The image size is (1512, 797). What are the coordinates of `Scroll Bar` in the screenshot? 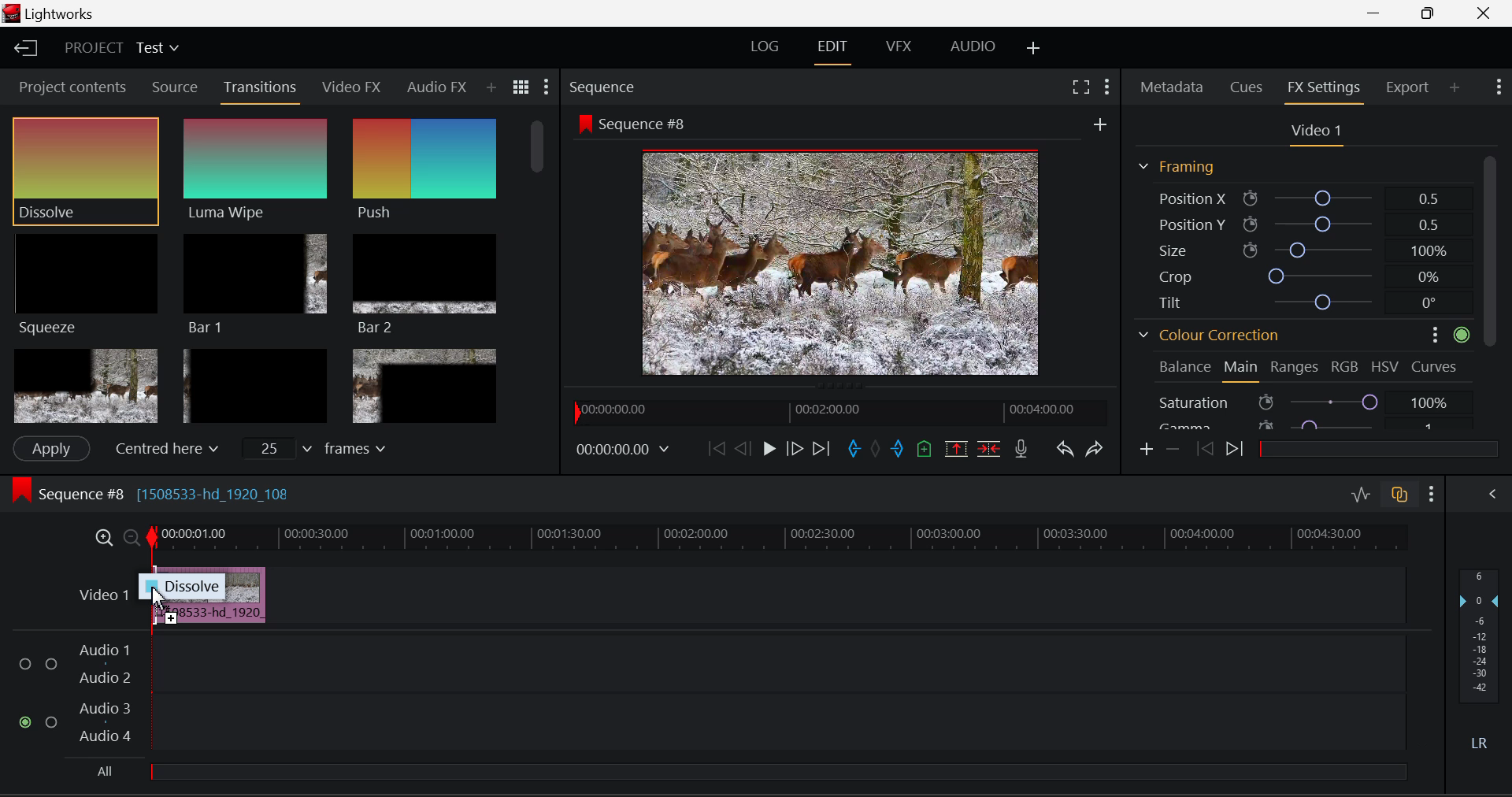 It's located at (1492, 290).